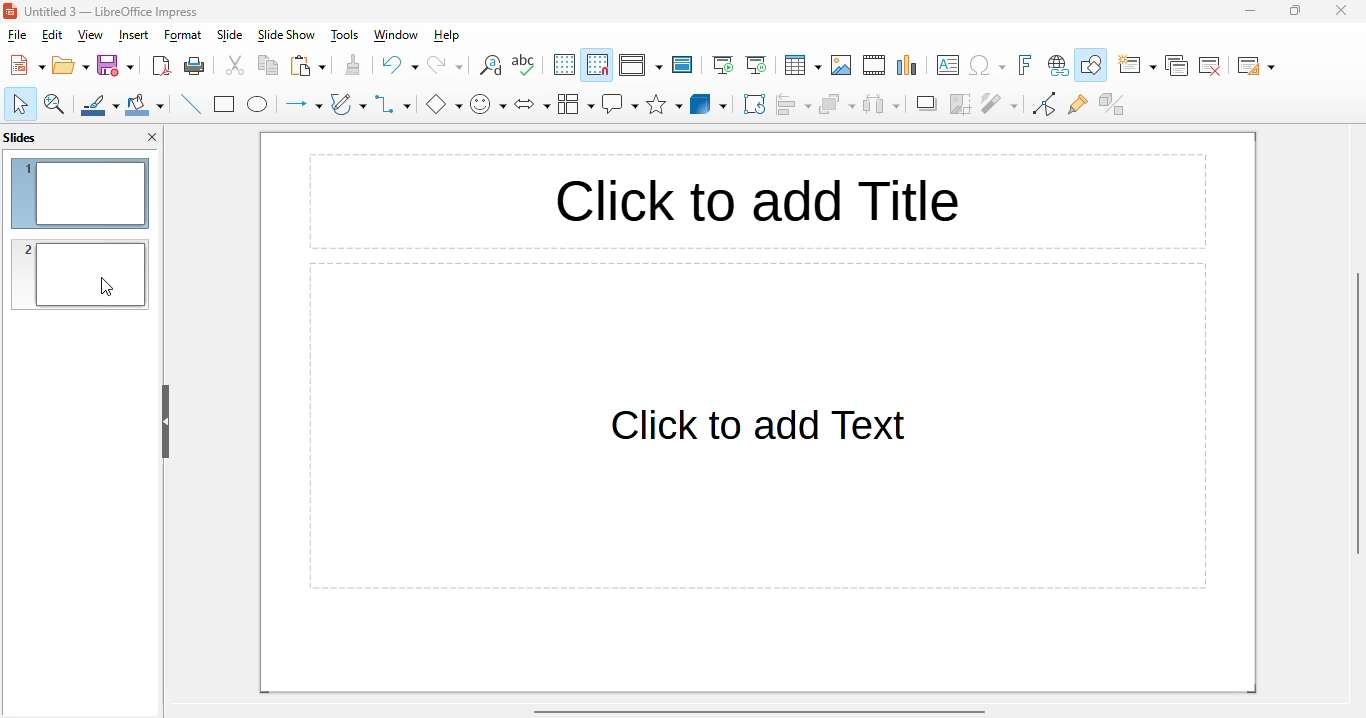 This screenshot has width=1366, height=718. Describe the element at coordinates (1342, 10) in the screenshot. I see `close` at that location.